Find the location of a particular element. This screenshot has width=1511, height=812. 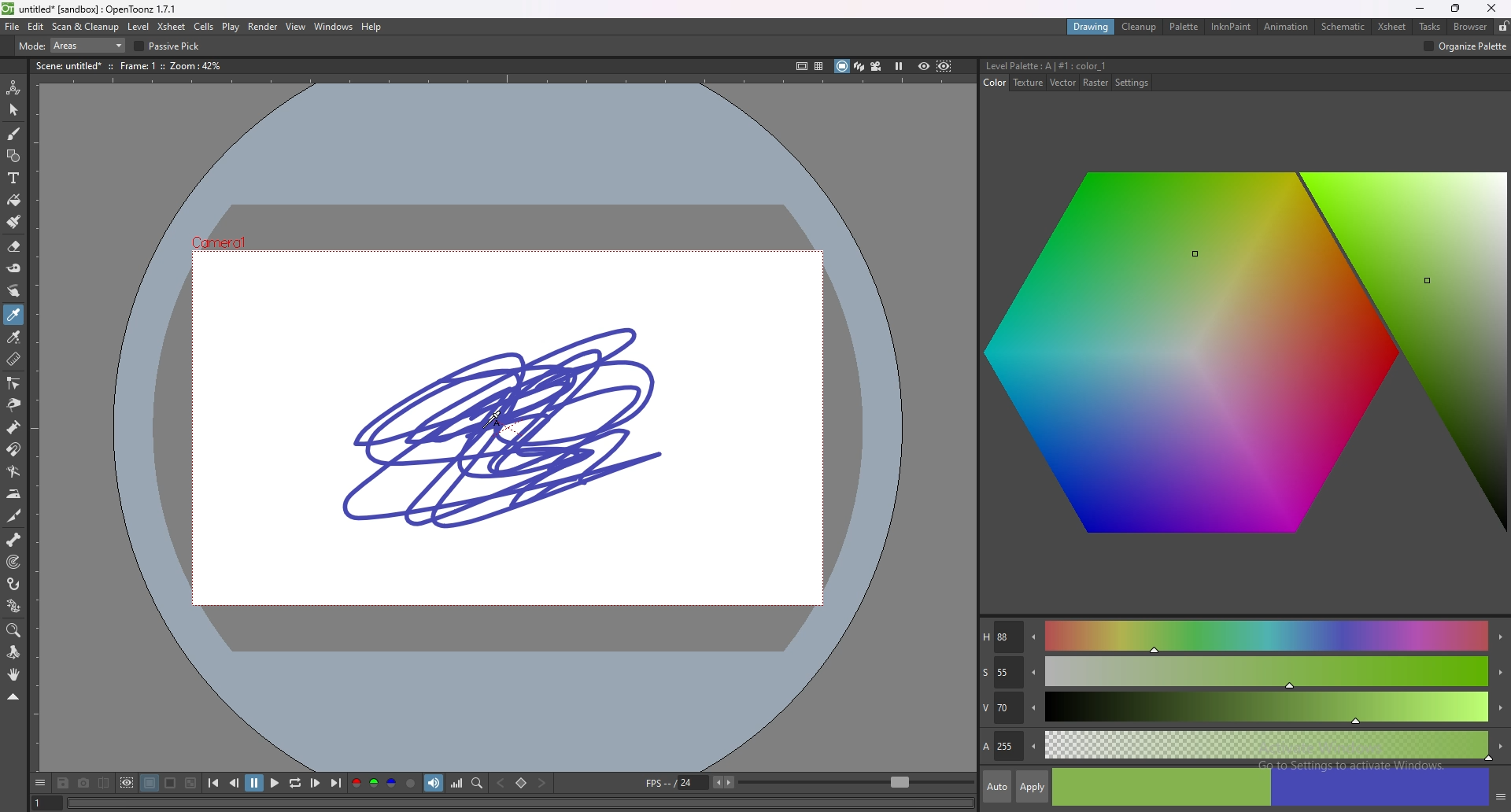

resize is located at coordinates (1456, 9).